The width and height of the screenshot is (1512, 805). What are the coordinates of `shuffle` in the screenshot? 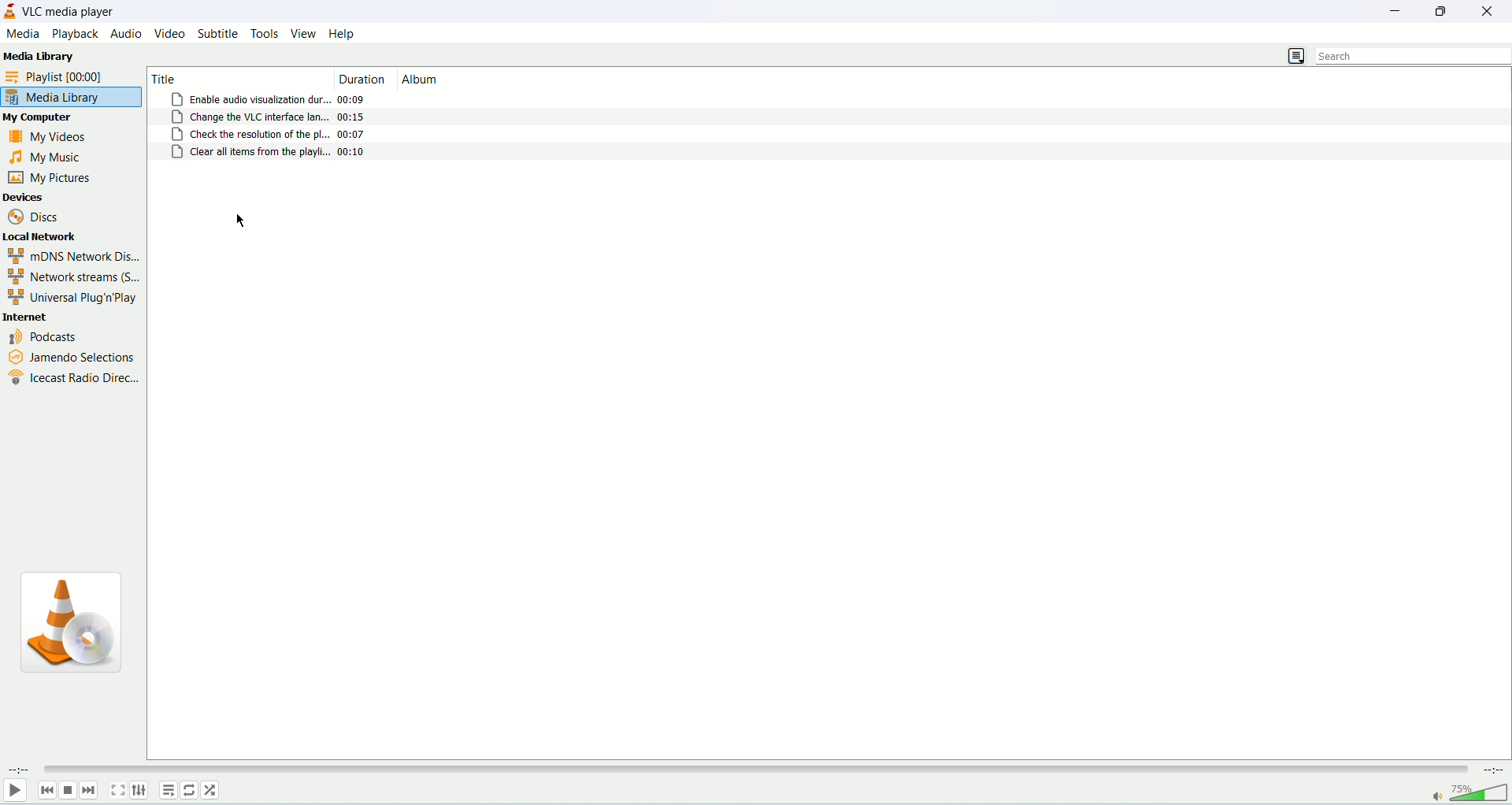 It's located at (213, 792).